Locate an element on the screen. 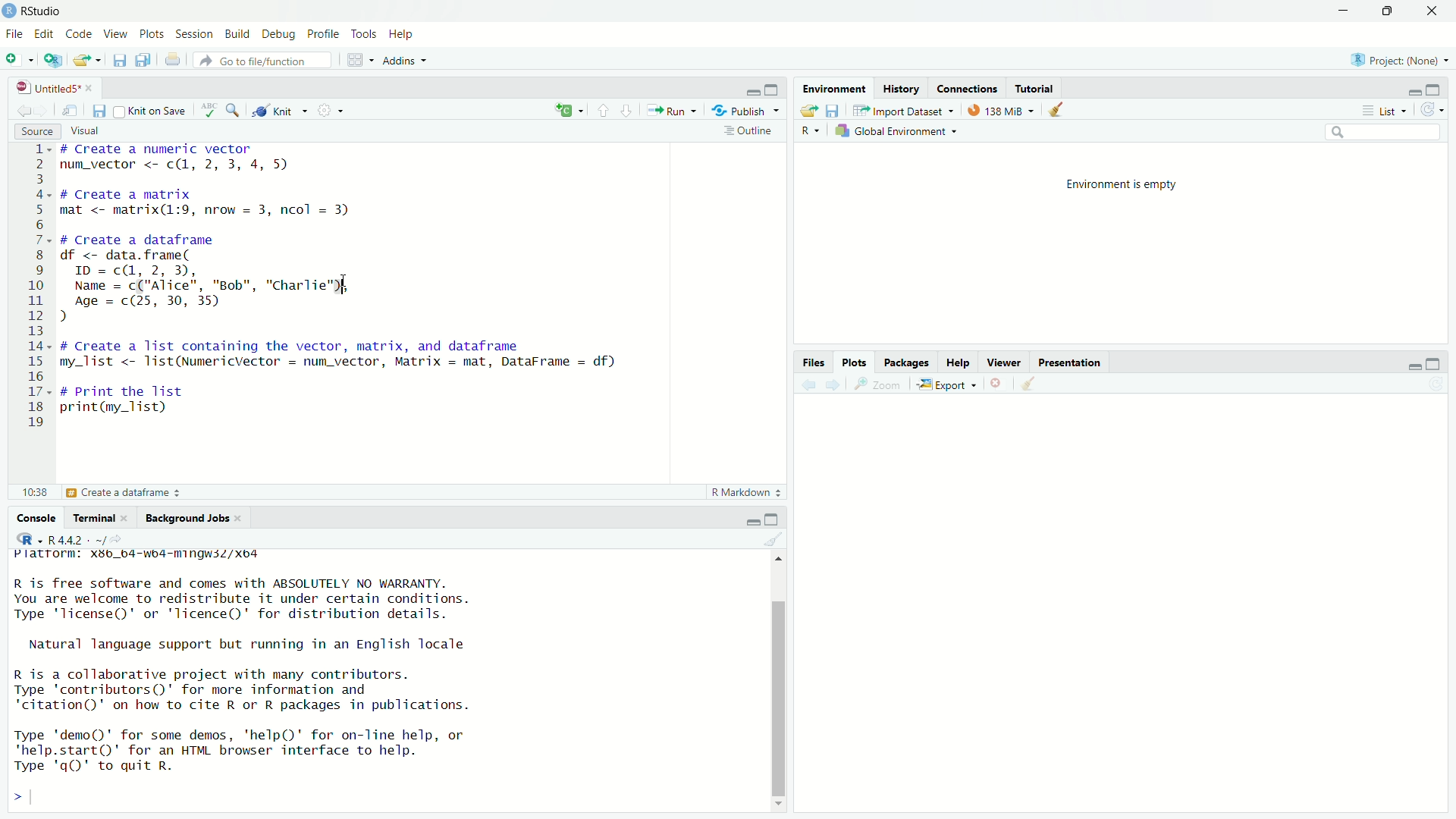 The height and width of the screenshot is (819, 1456). Terminal is located at coordinates (99, 516).